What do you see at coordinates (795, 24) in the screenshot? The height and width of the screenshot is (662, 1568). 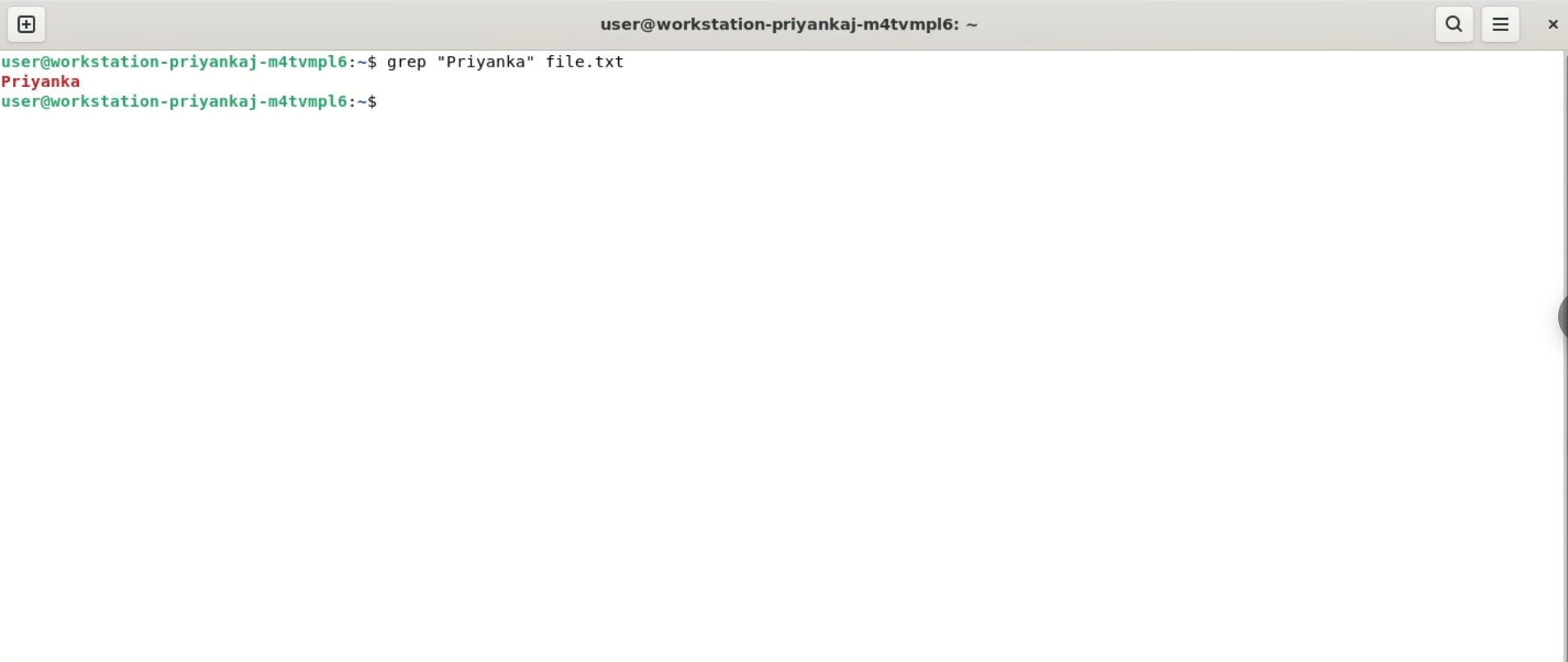 I see `terminal title: user@workstation-priyankaj-m4tvmpl6: ~` at bounding box center [795, 24].